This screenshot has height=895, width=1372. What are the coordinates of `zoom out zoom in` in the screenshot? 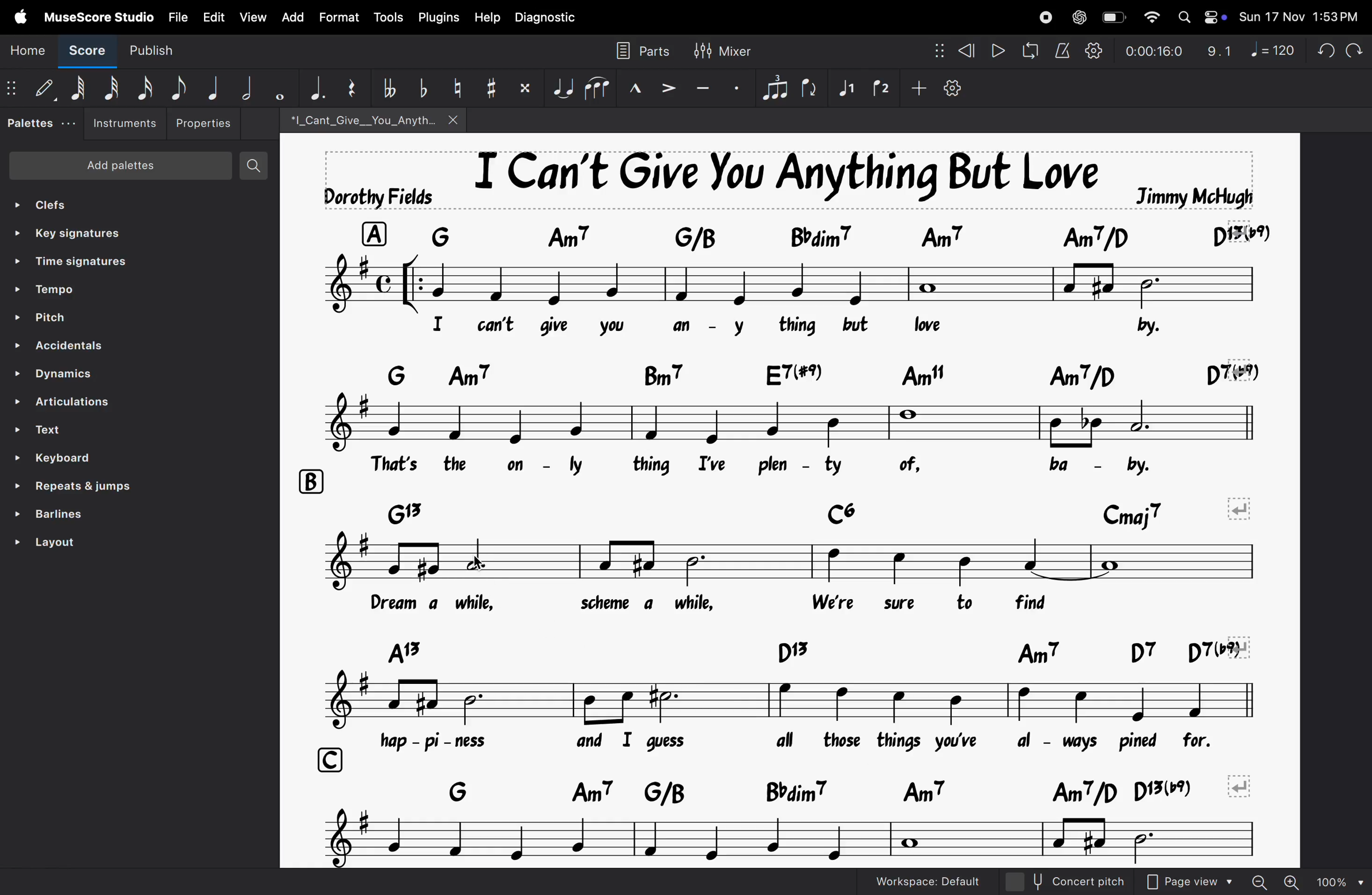 It's located at (1299, 882).